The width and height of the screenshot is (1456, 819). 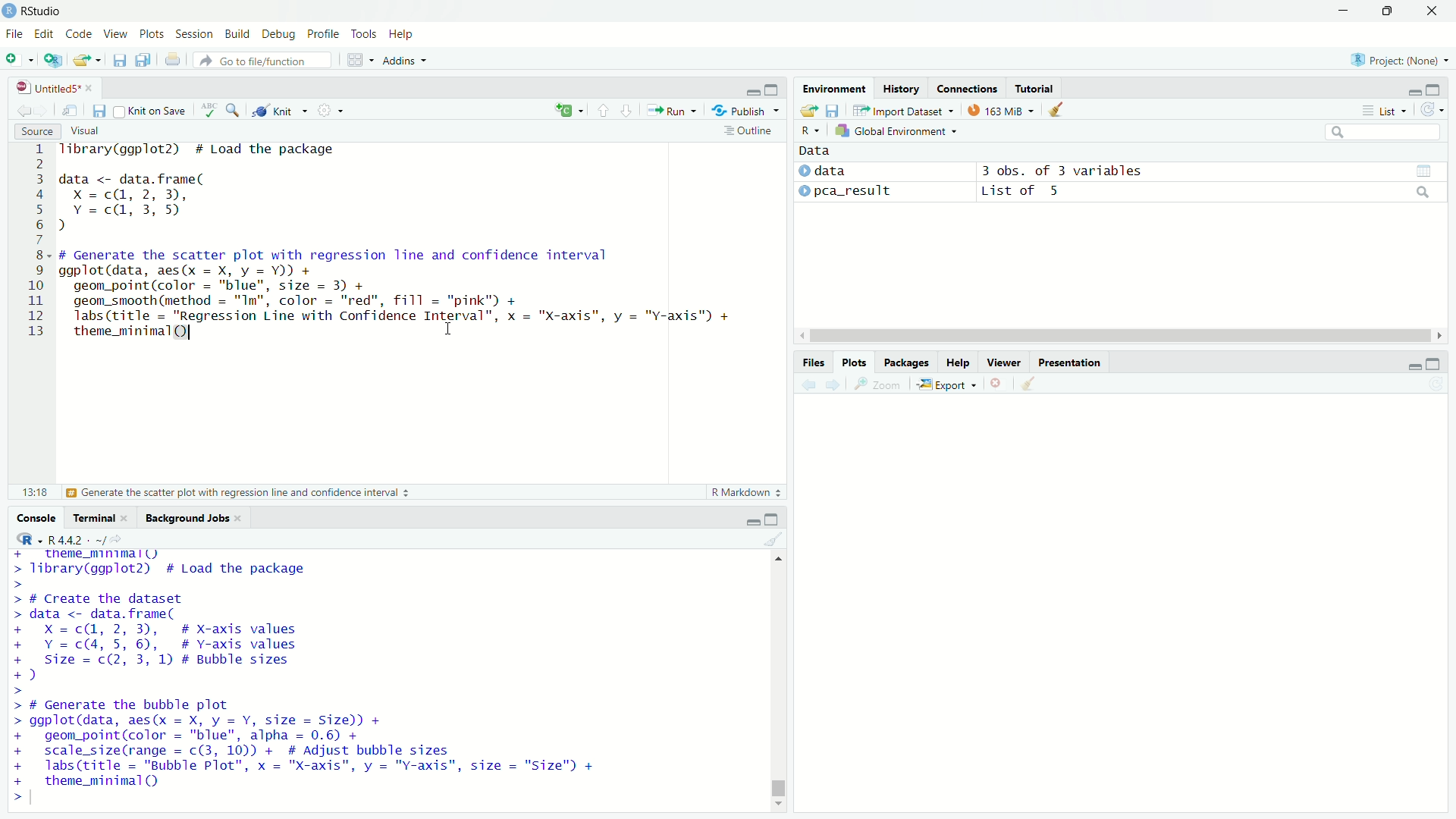 I want to click on Global Environment, so click(x=898, y=130).